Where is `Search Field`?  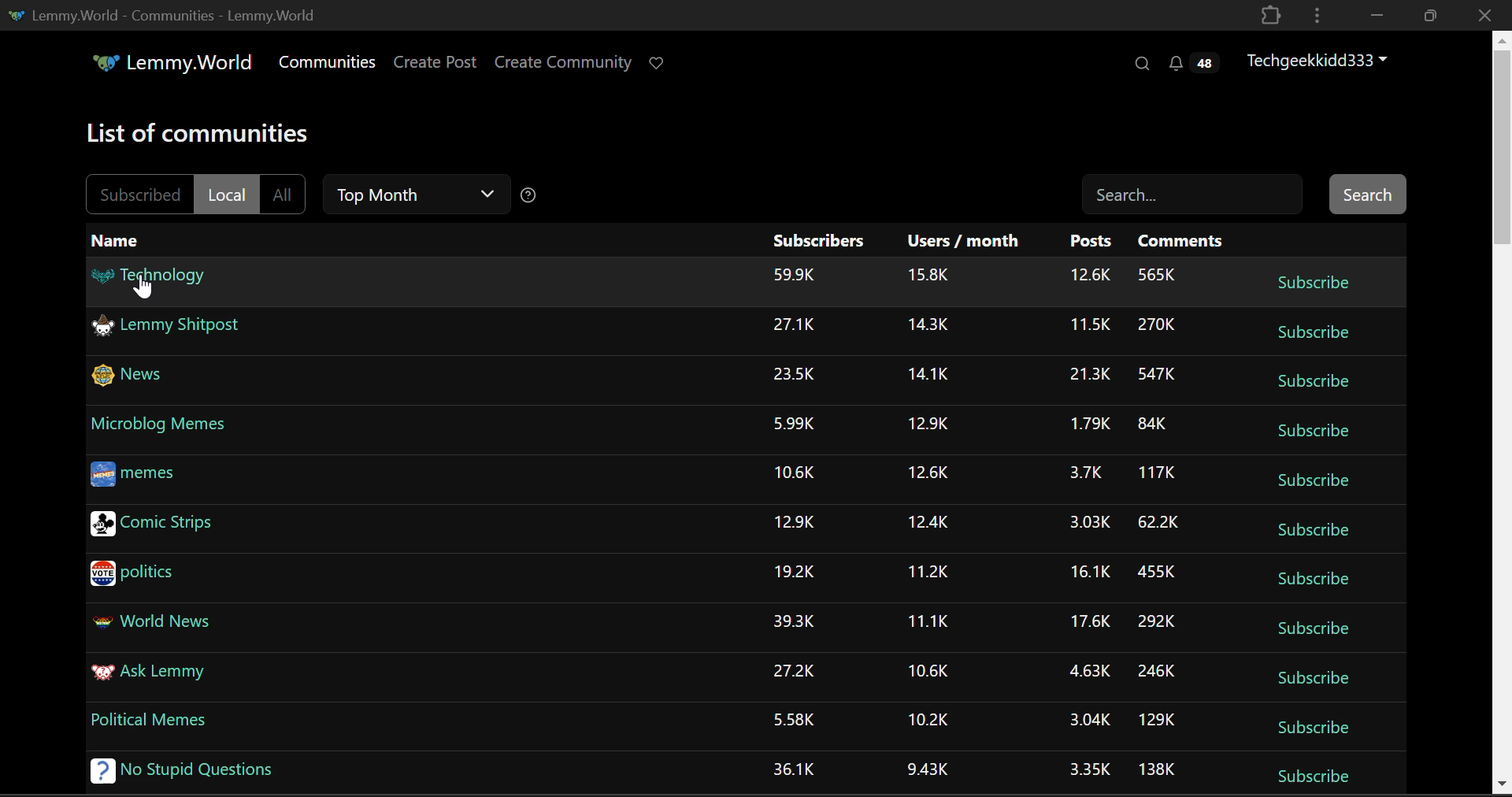
Search Field is located at coordinates (1194, 193).